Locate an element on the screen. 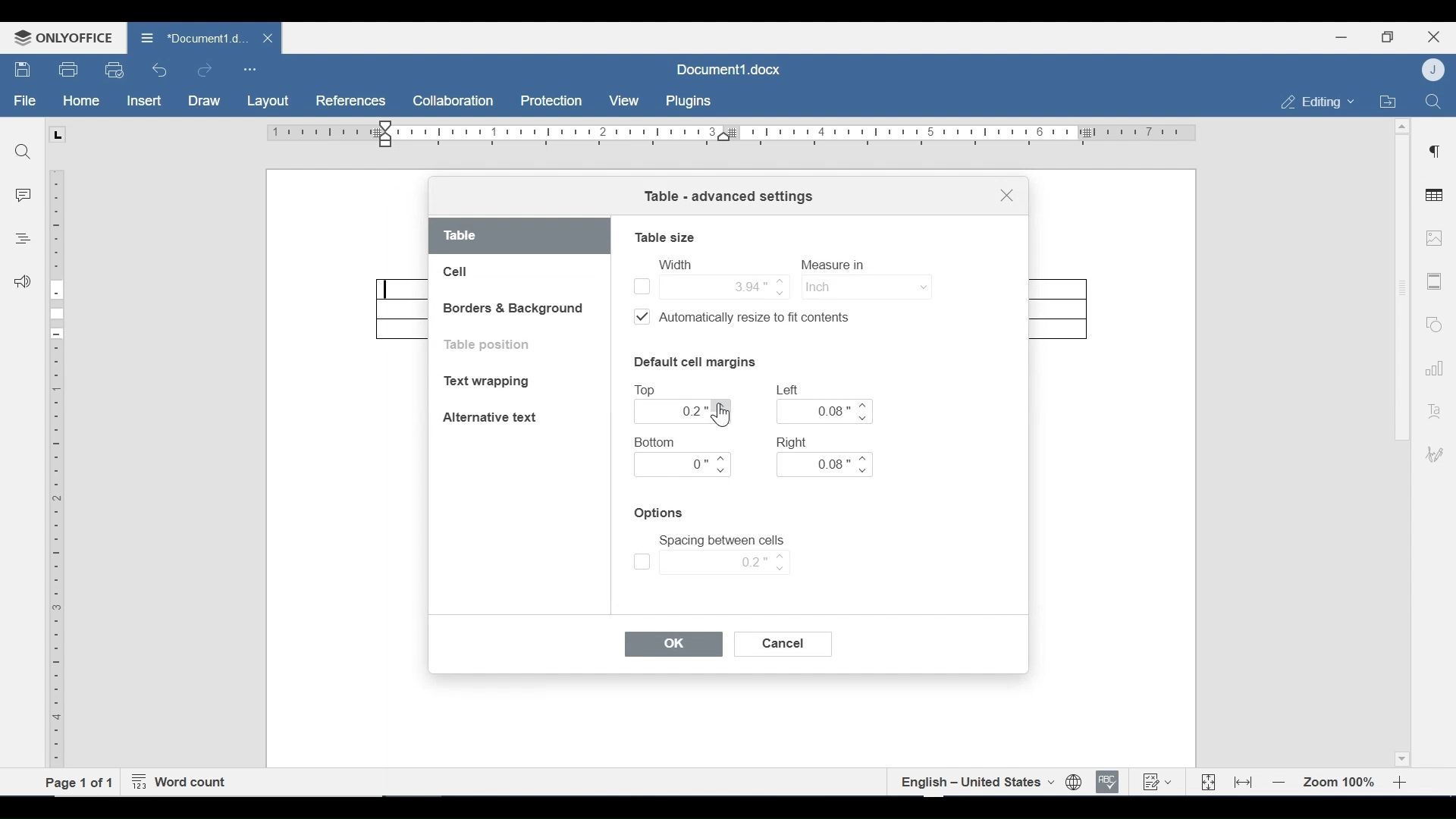 The image size is (1456, 819). Options is located at coordinates (661, 513).